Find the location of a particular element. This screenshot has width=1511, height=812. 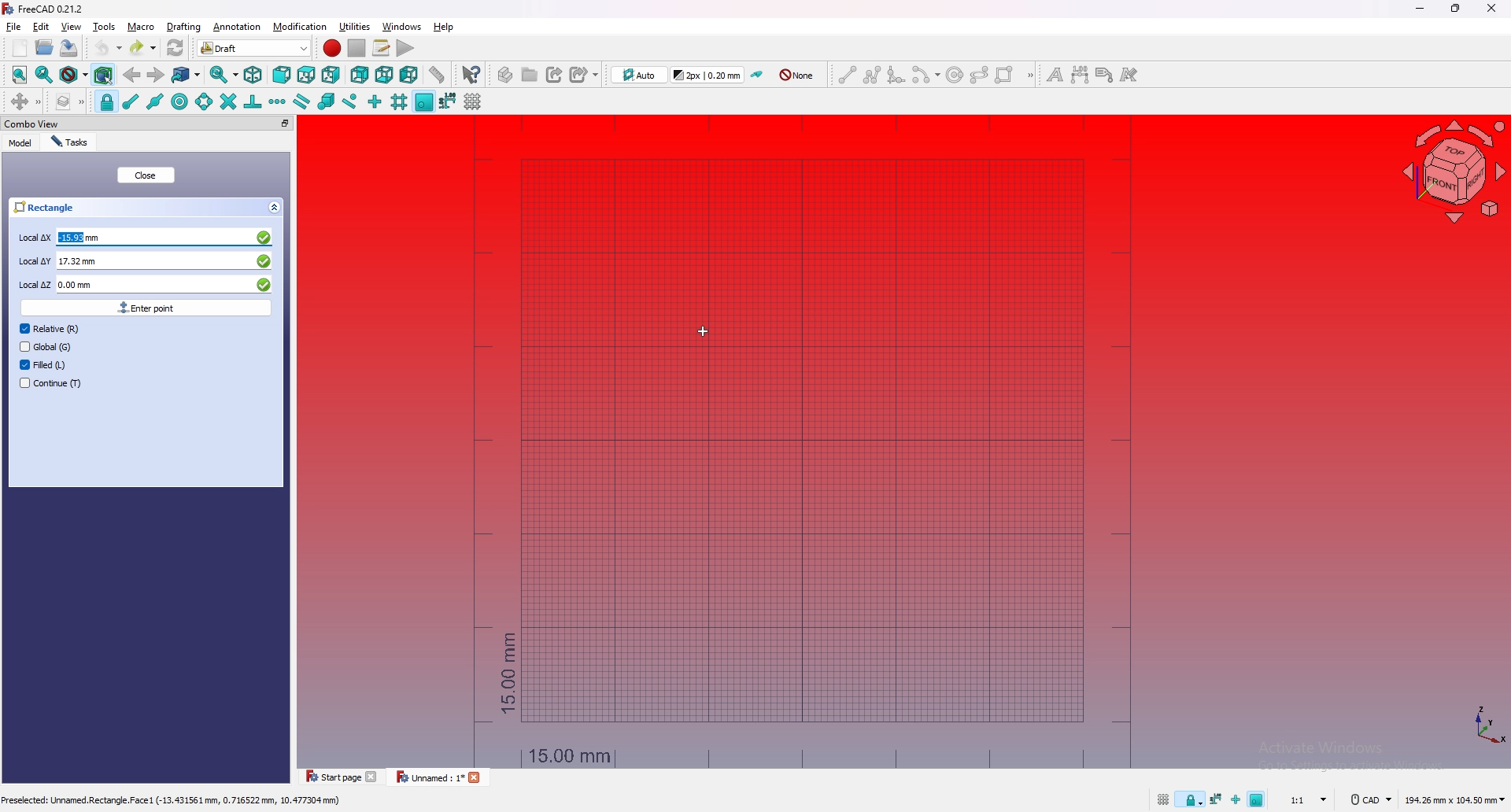

whats this is located at coordinates (471, 75).